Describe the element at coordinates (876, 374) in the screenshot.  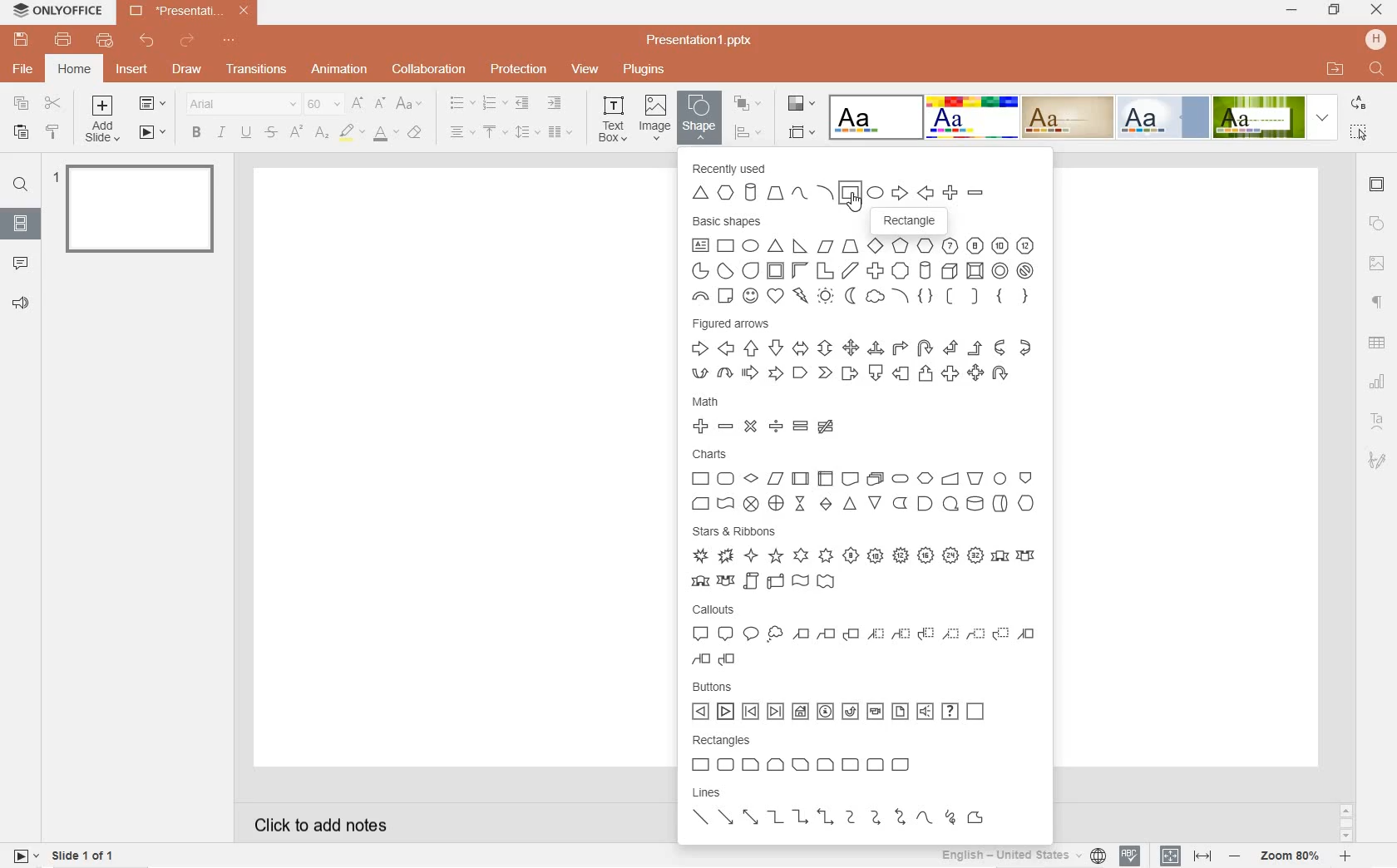
I see `Down arrow callout` at that location.